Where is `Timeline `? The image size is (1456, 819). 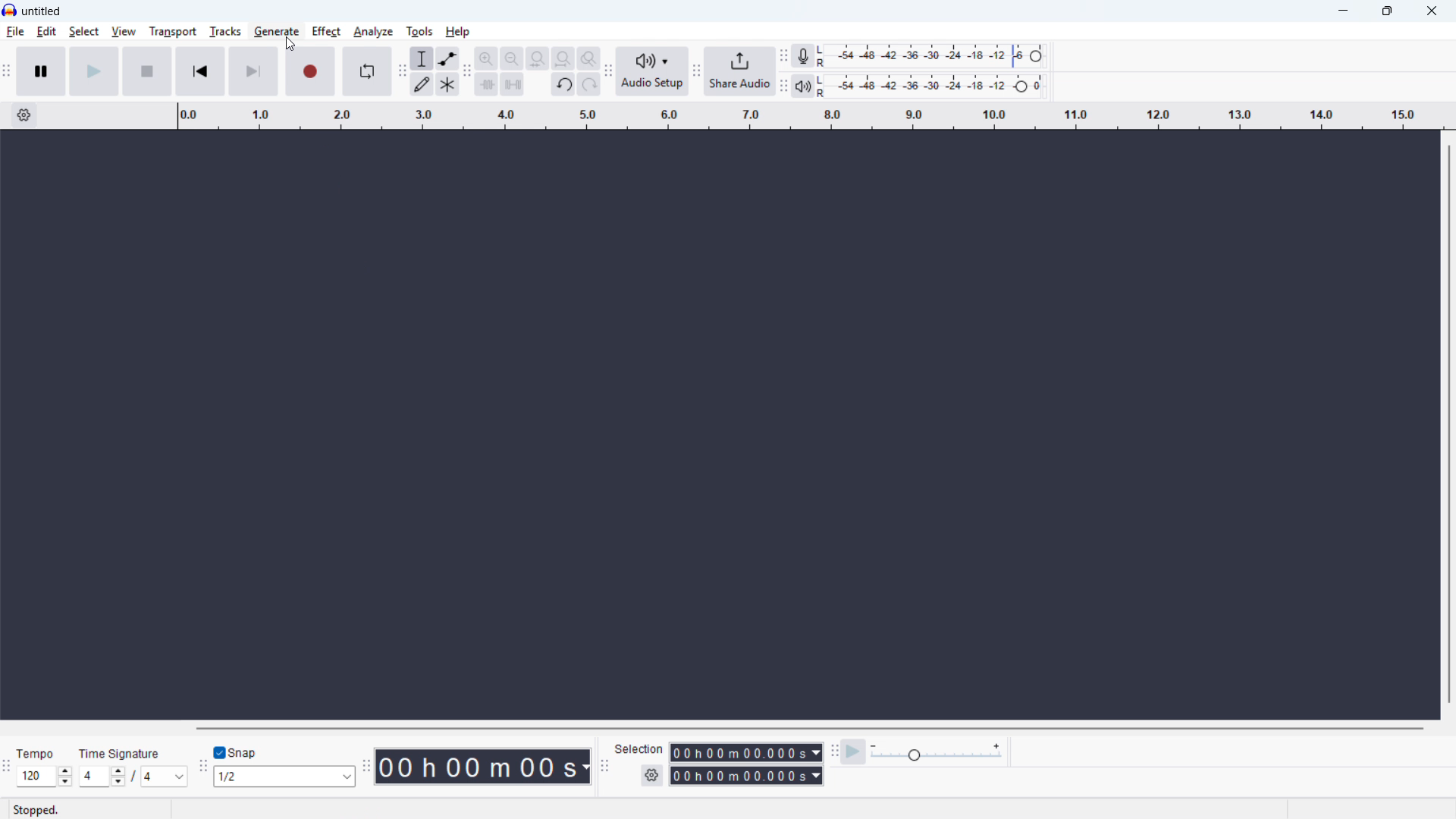
Timeline  is located at coordinates (810, 116).